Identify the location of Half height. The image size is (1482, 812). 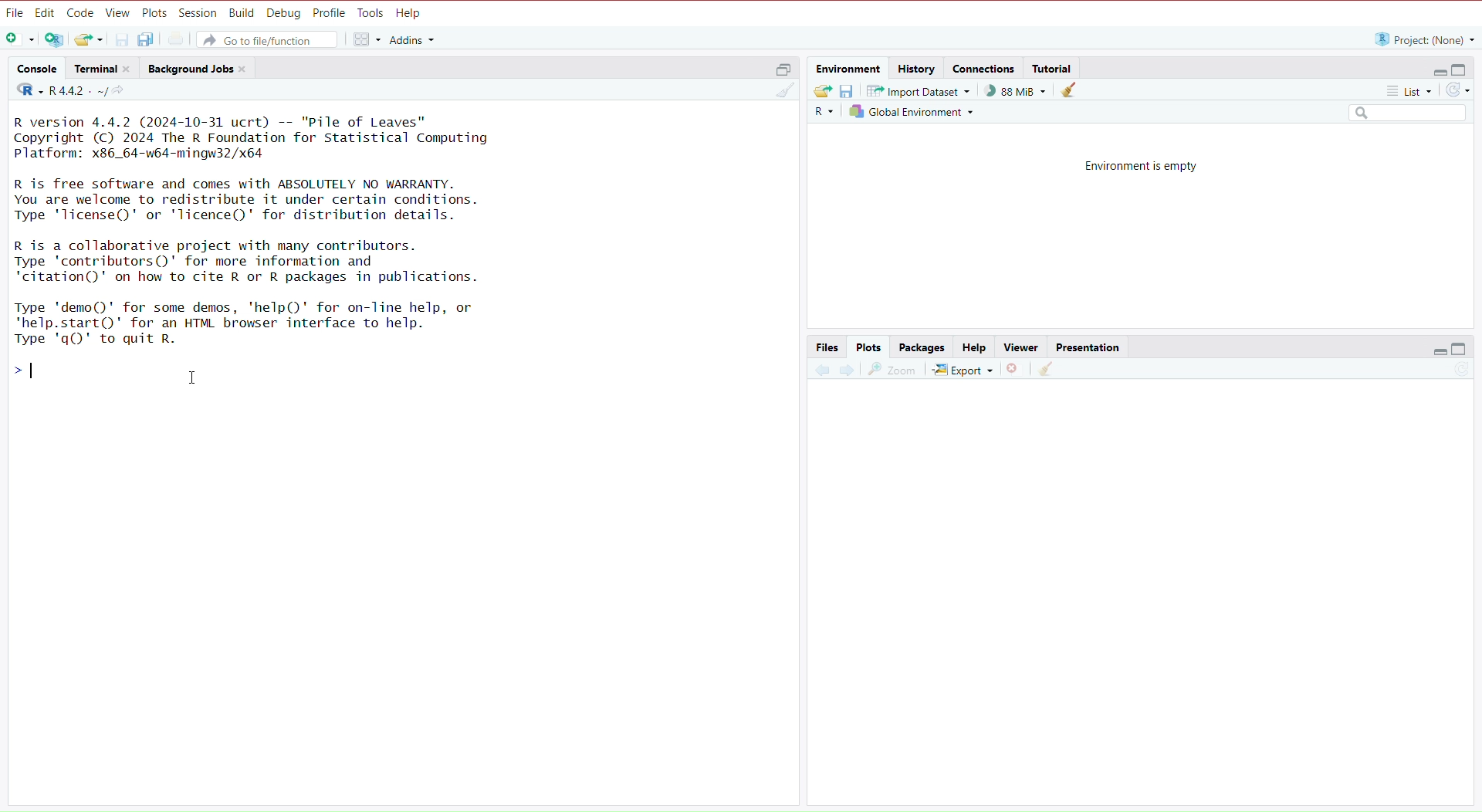
(783, 67).